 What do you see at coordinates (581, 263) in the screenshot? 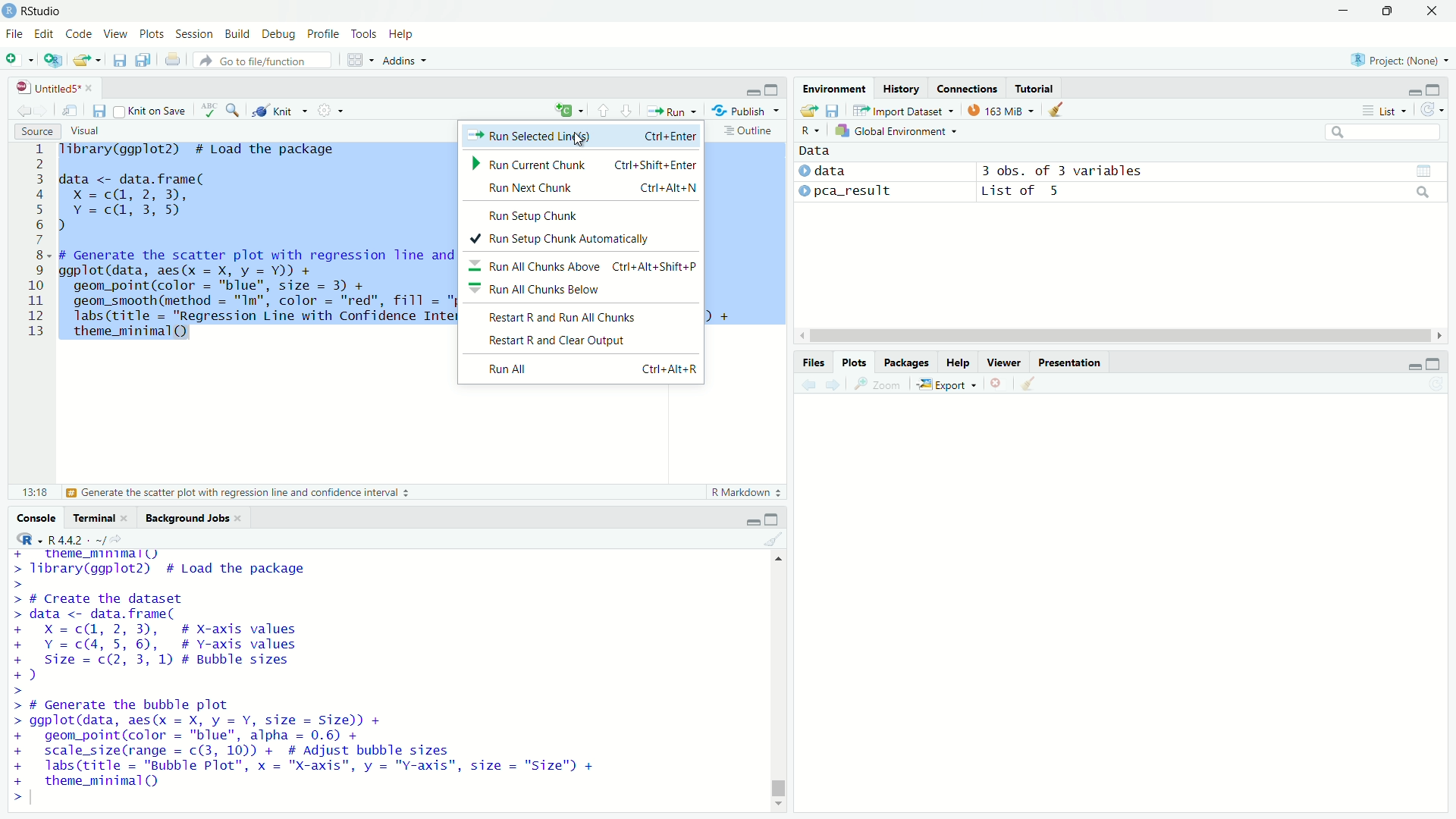
I see `Run All Chunks Above Ctrl+Alt+Shift+P` at bounding box center [581, 263].